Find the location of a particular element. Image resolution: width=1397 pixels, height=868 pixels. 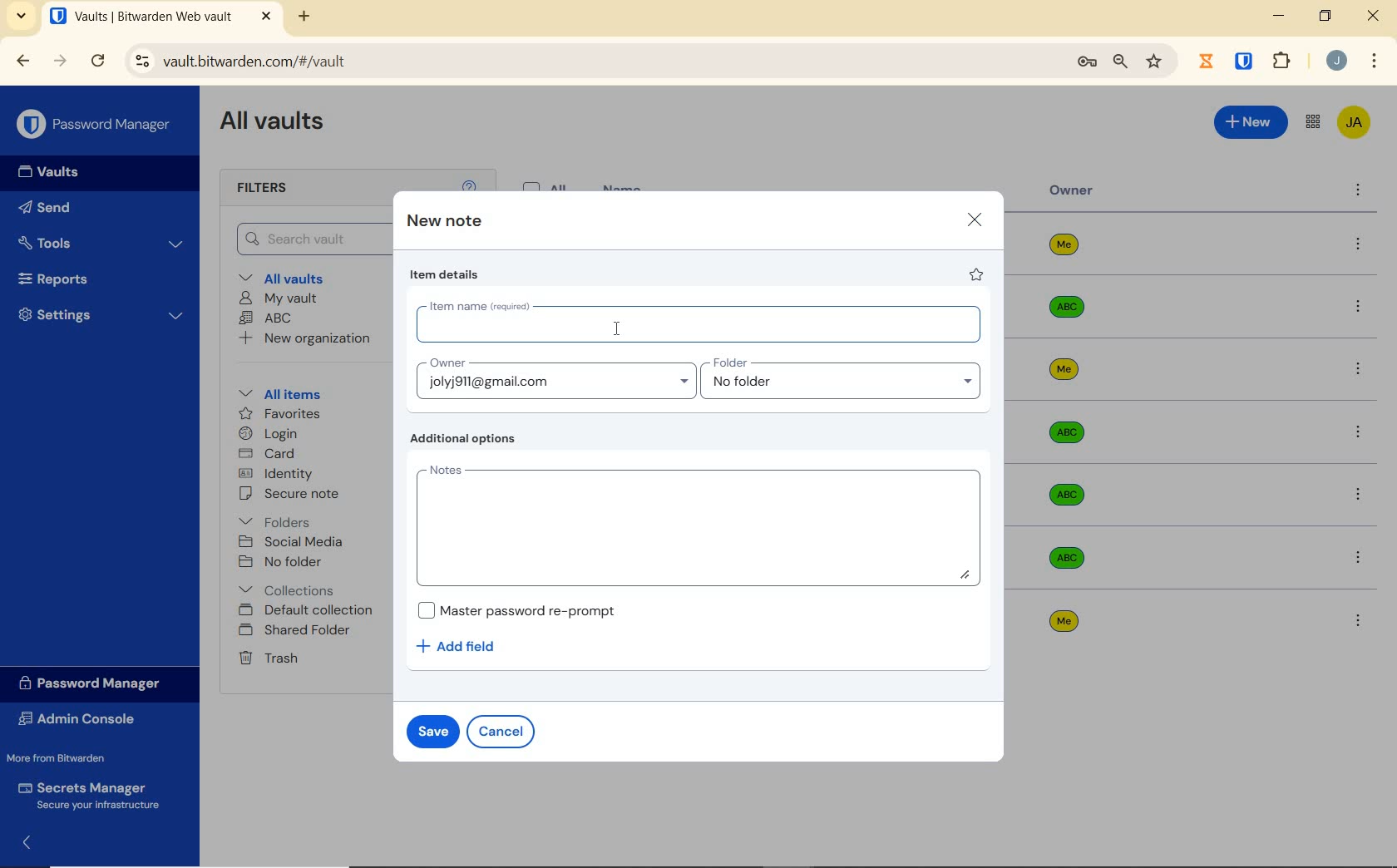

Password Manager is located at coordinates (95, 683).